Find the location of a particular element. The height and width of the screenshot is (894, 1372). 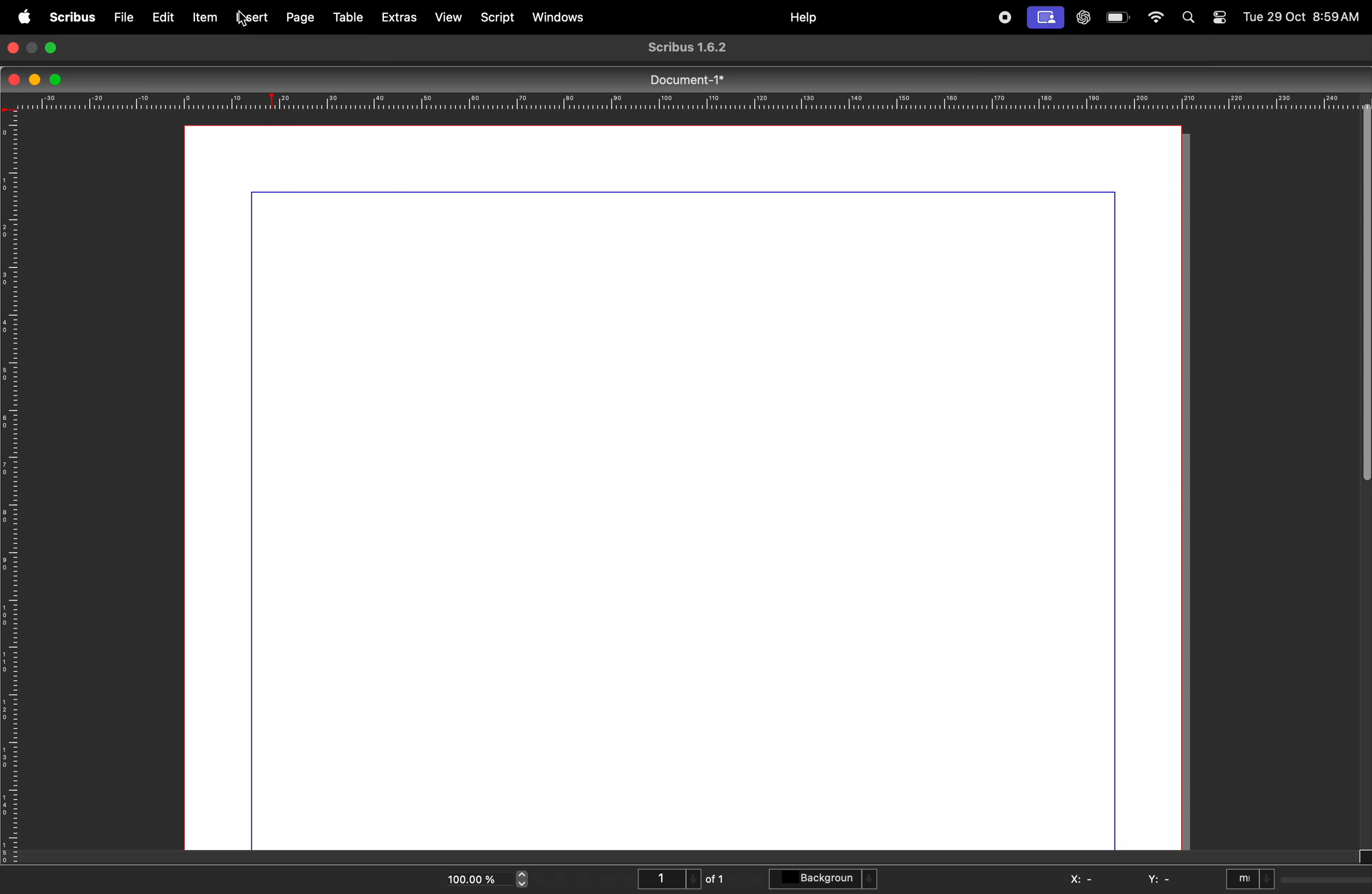

cast is located at coordinates (1047, 18).